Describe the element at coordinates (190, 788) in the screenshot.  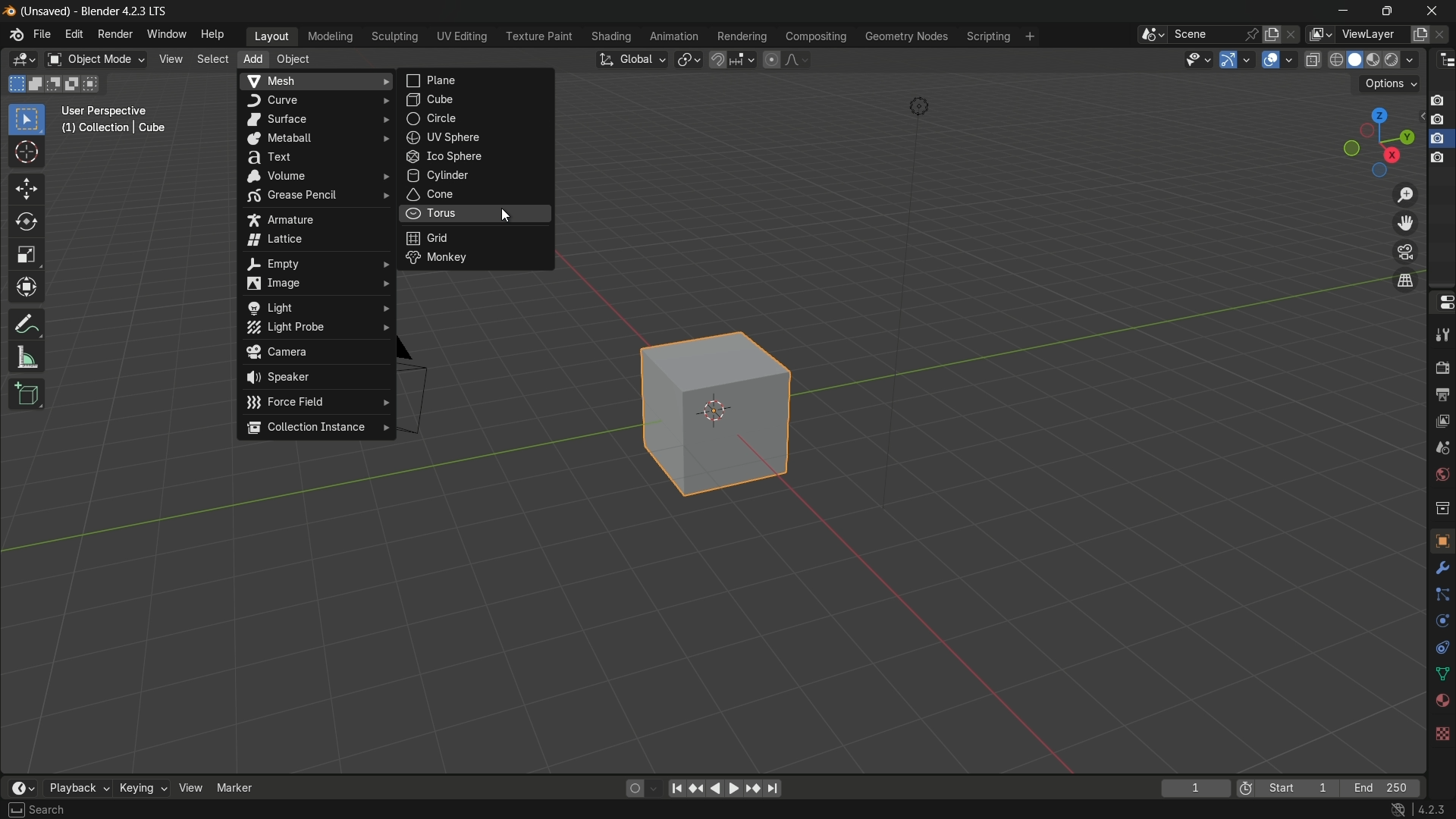
I see `view` at that location.